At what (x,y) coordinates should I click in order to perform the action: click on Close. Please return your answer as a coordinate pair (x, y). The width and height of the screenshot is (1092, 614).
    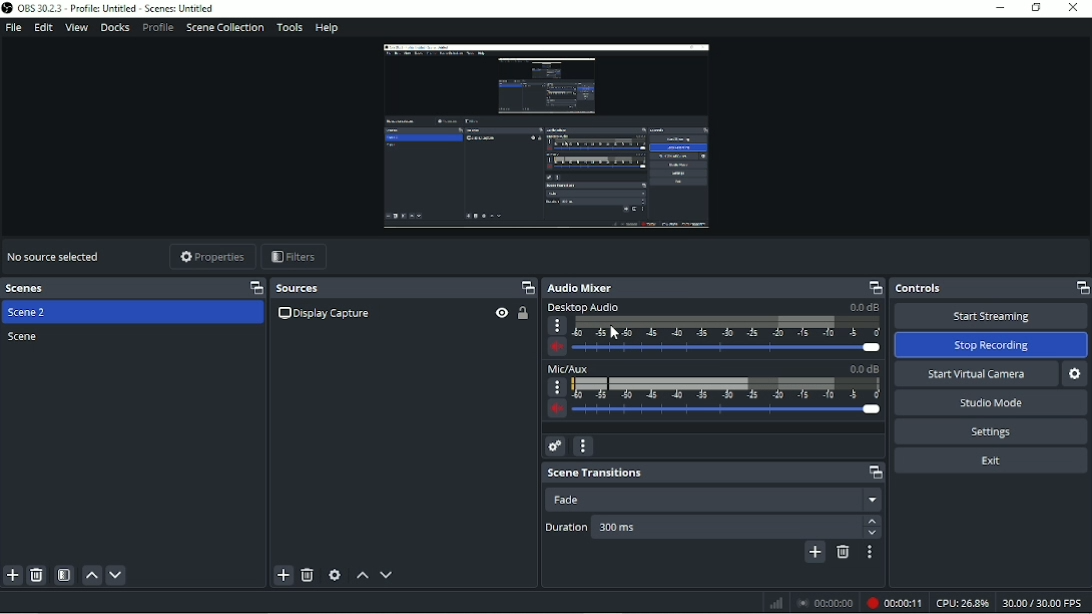
    Looking at the image, I should click on (1075, 8).